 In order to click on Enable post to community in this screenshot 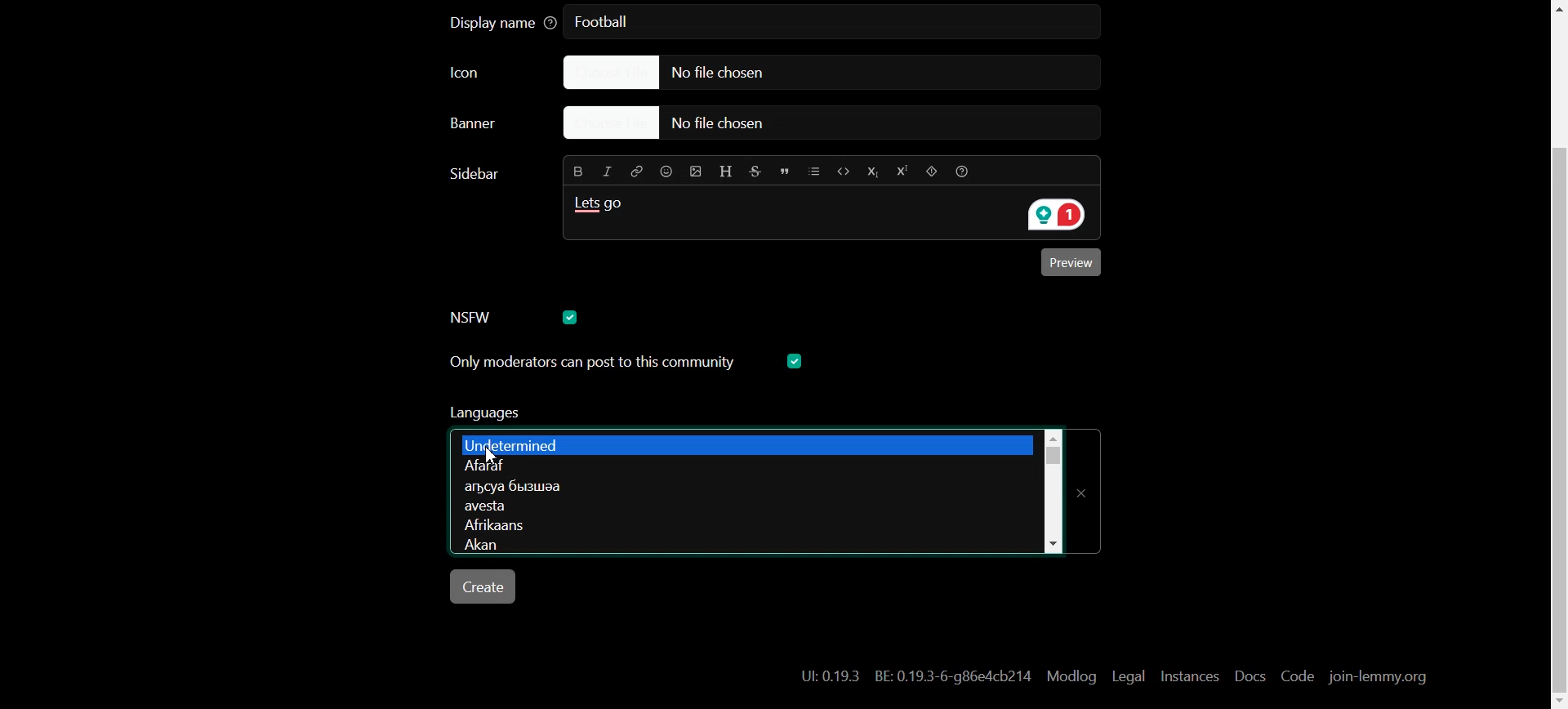, I will do `click(592, 362)`.